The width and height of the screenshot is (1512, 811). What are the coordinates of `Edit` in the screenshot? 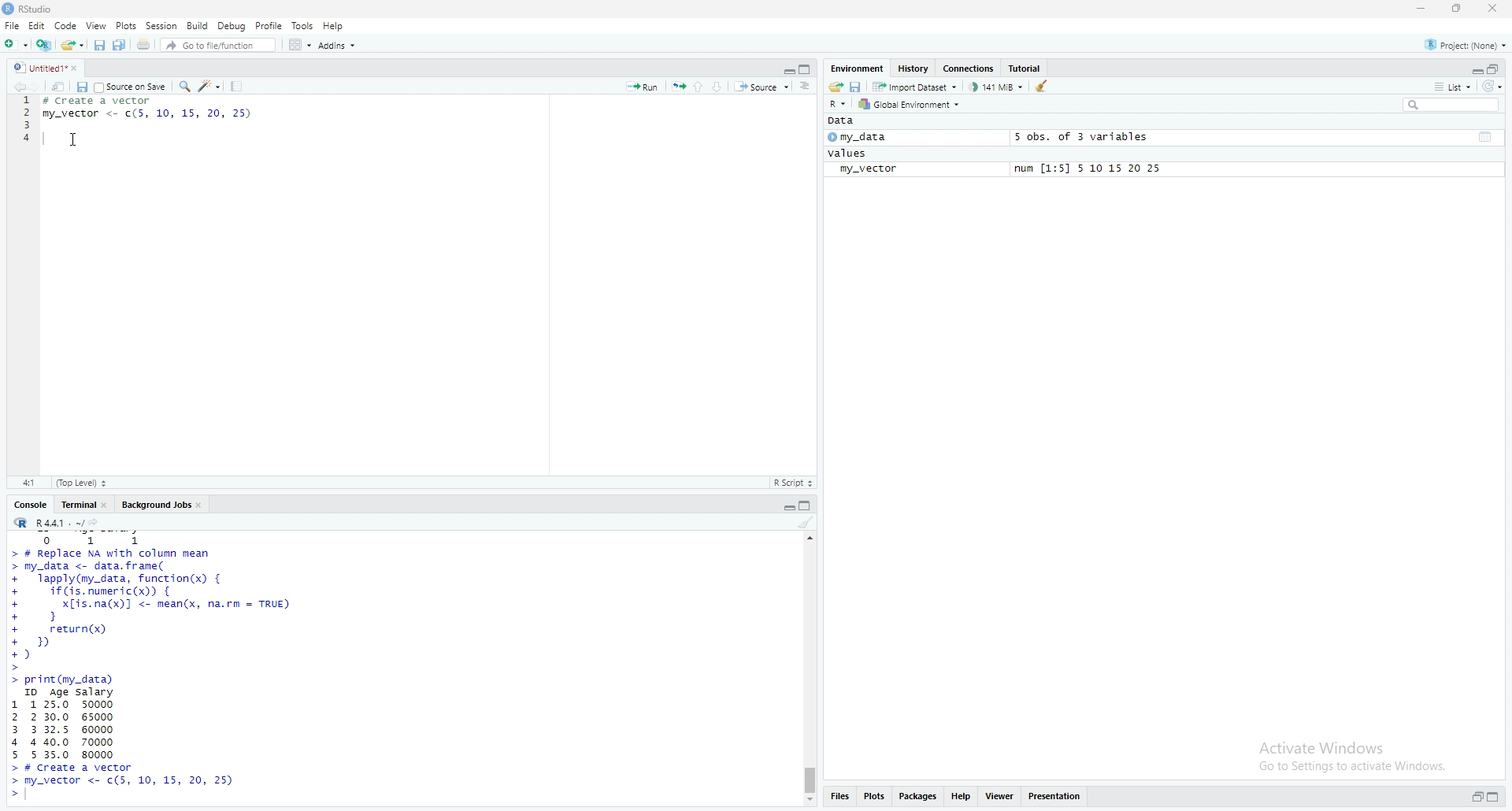 It's located at (36, 26).